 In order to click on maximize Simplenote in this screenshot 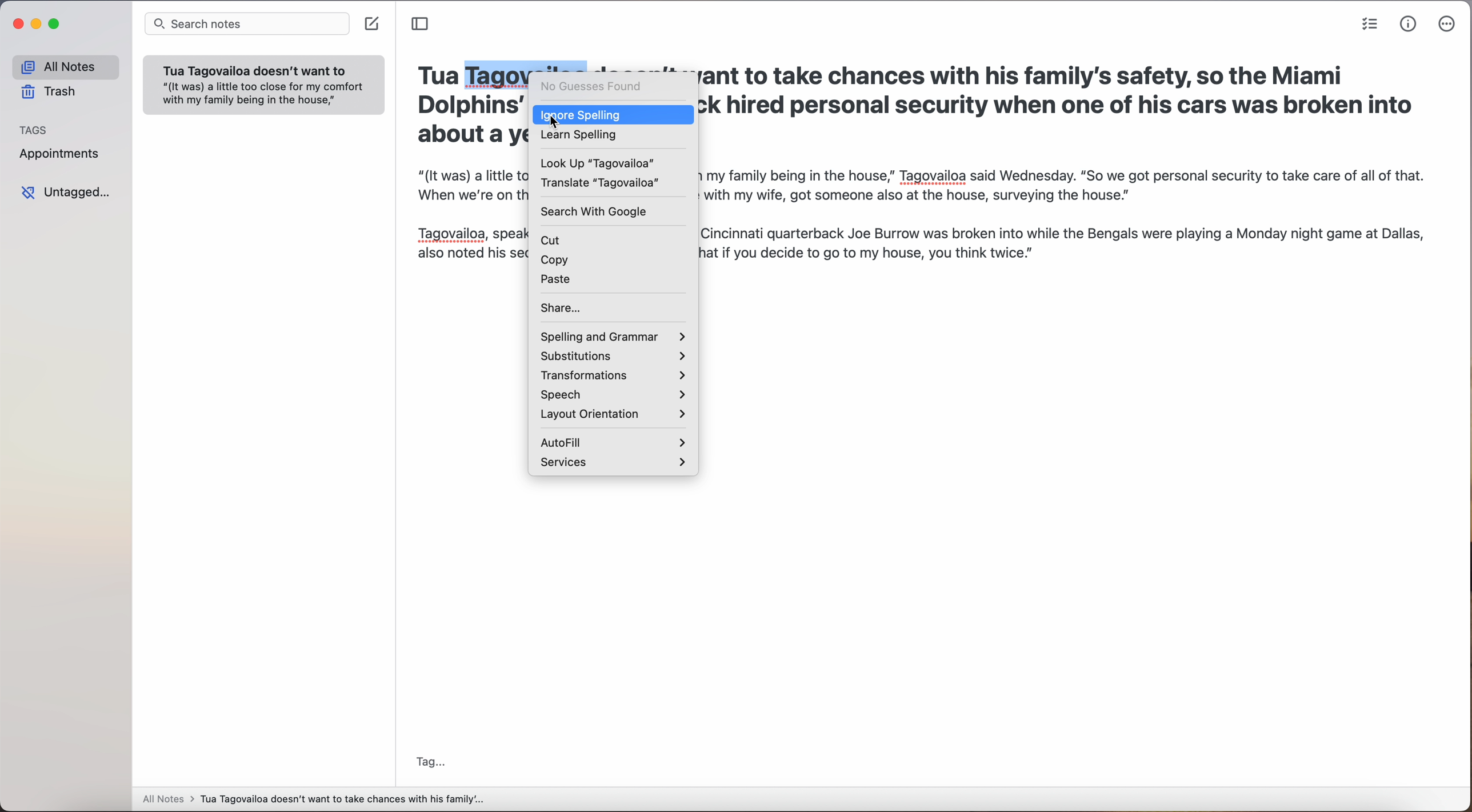, I will do `click(56, 24)`.